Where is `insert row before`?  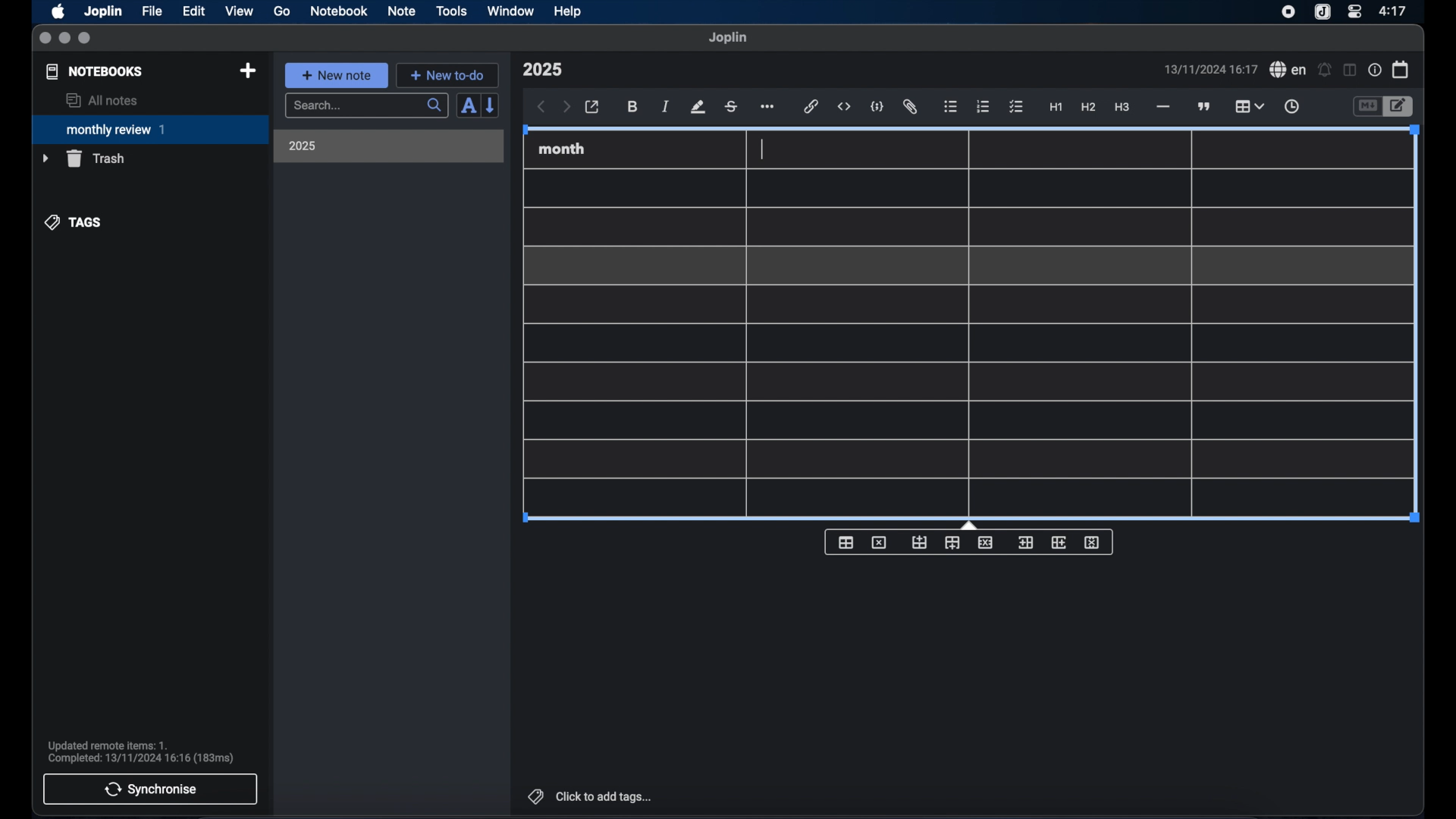
insert row before is located at coordinates (920, 543).